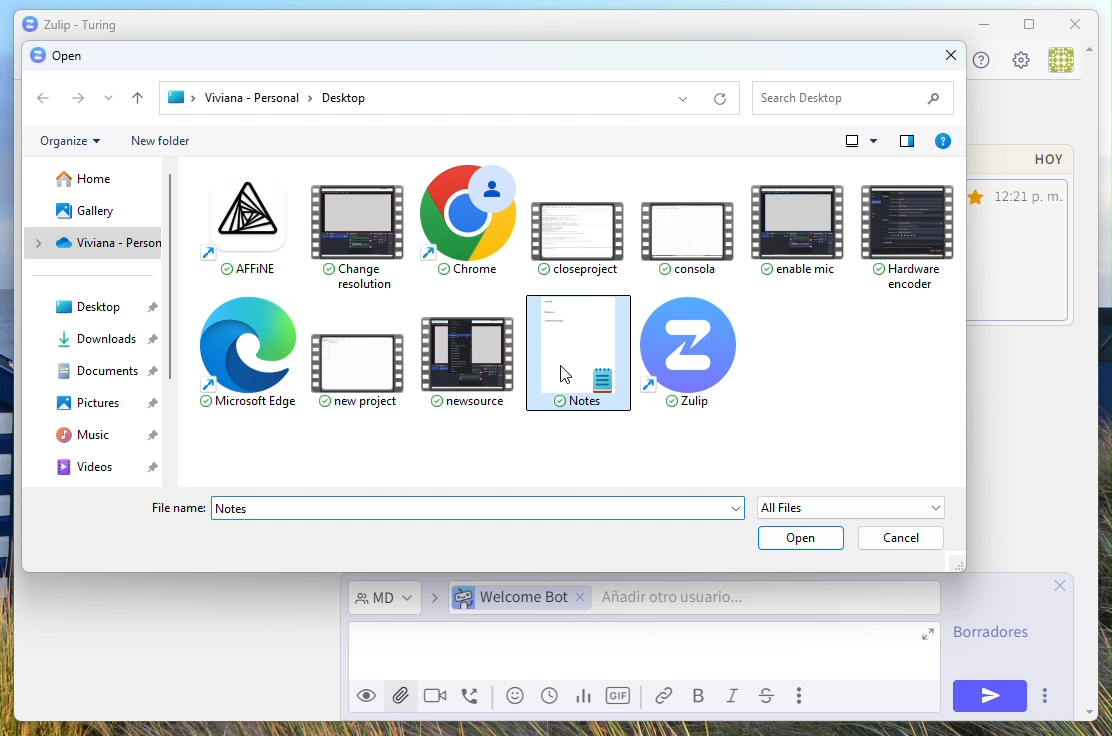 The height and width of the screenshot is (736, 1112). What do you see at coordinates (112, 339) in the screenshot?
I see `Downloads` at bounding box center [112, 339].